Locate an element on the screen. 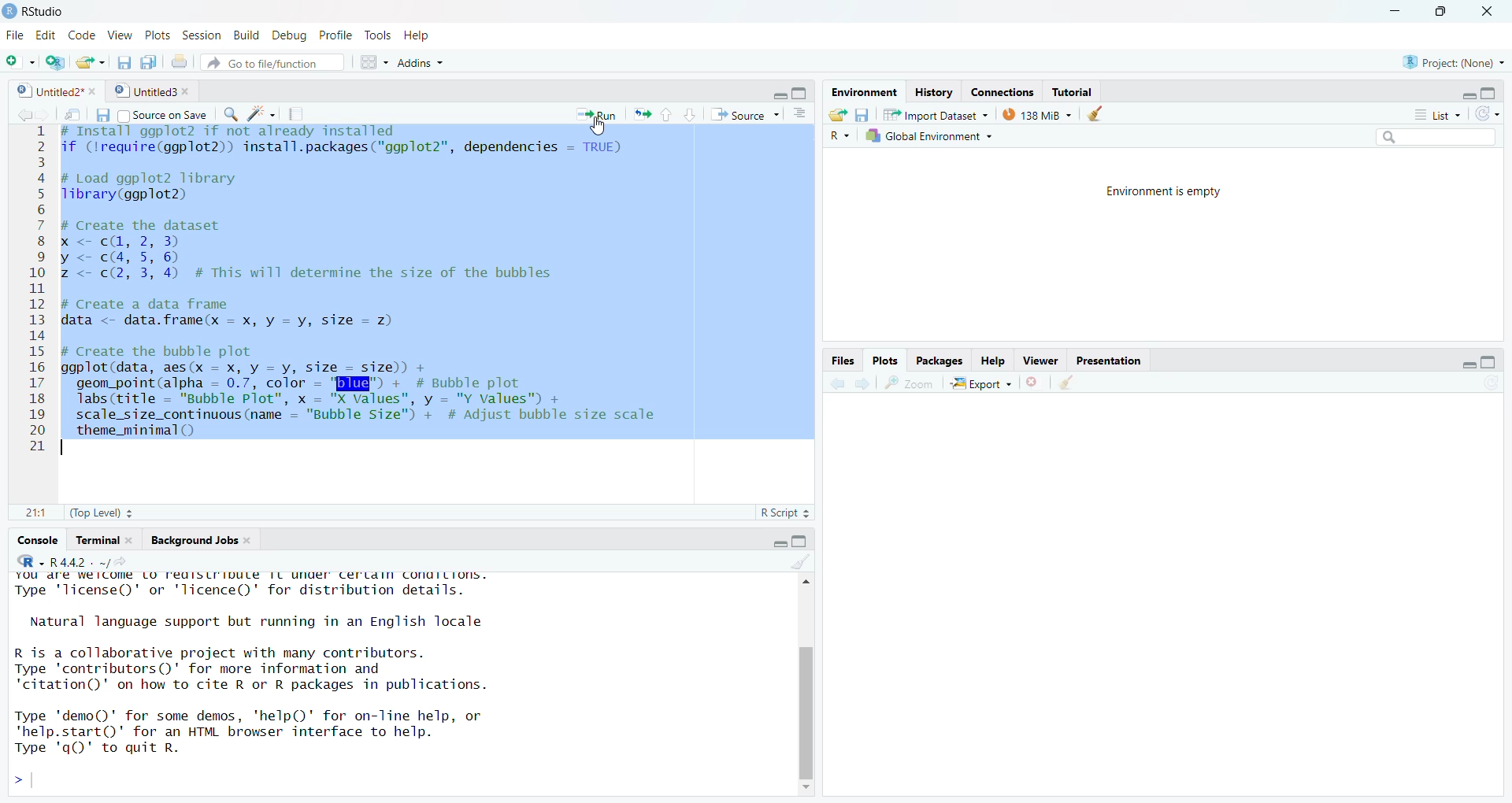 Image resolution: width=1512 pixels, height=803 pixels. YOU dre Welcome LO reuisirioute IL under Certdin conaiLions.

Type 'license()' or 'licence()' for distribution details.
Natural language support but running in an English locale

R is a collaborative project with many contributors.

Type 'contributors()' for more information and

"citation()' on how to cite R or R packages in publications.

Type 'demo()' for some demos, 'help()' for on-line help, or

'help.start()’ for an HTML browser interface to help.

Type 'qQ)' to quit R.

> is located at coordinates (370, 683).